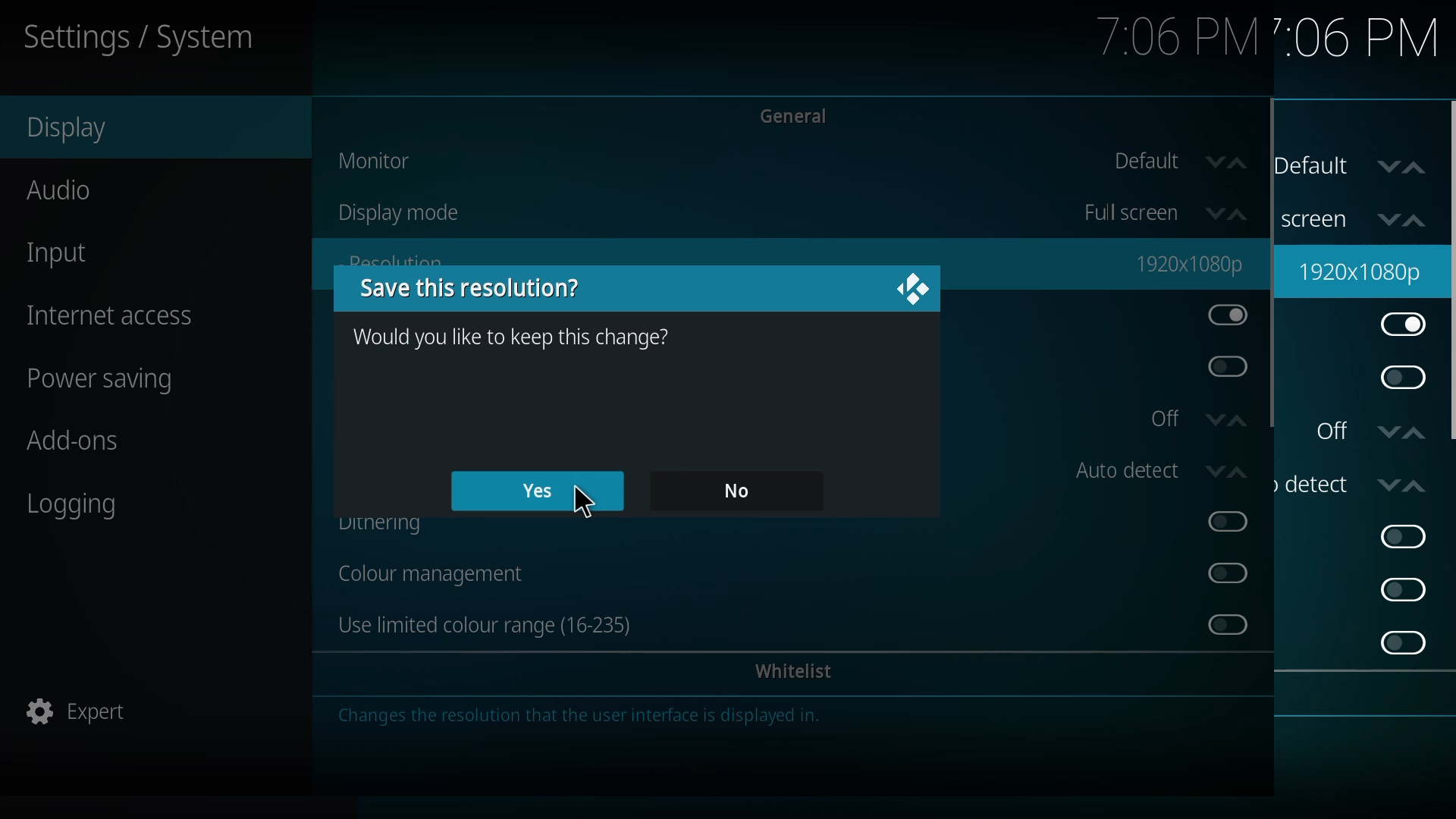 This screenshot has width=1456, height=819. Describe the element at coordinates (1156, 212) in the screenshot. I see `full screen` at that location.